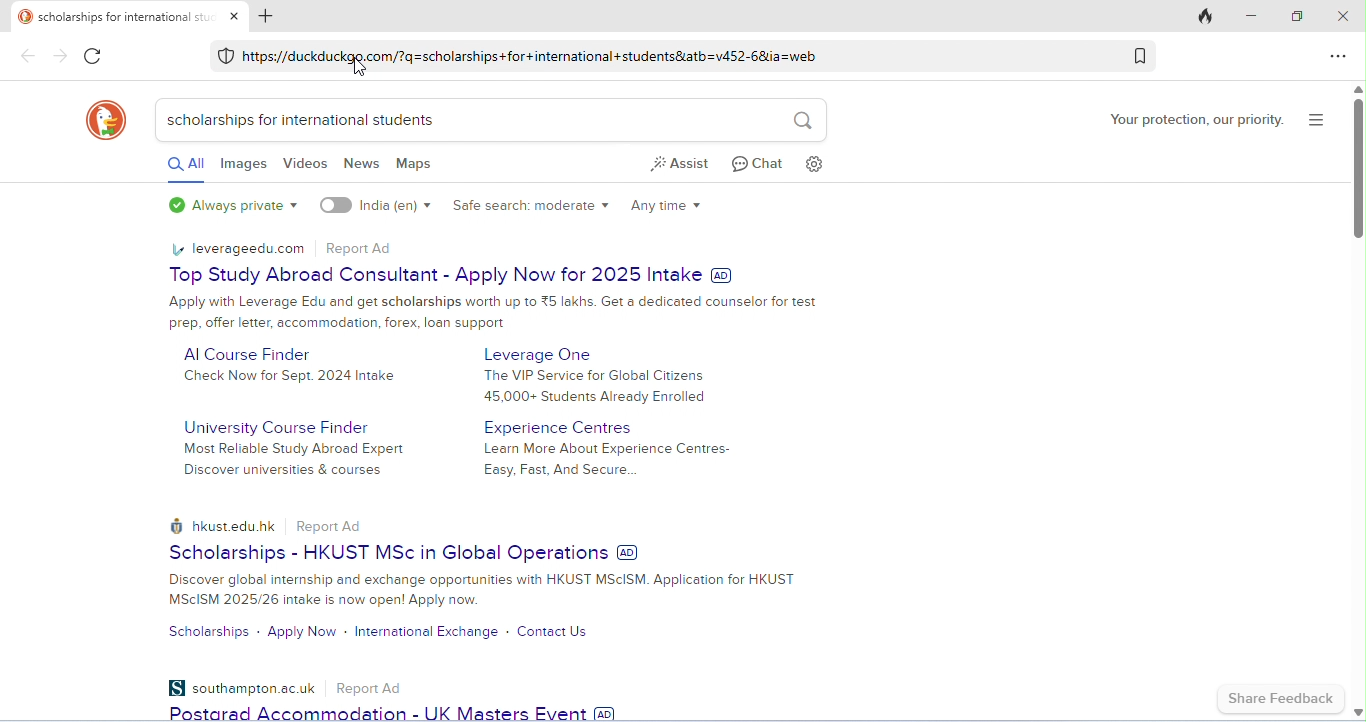 The image size is (1366, 722). Describe the element at coordinates (61, 56) in the screenshot. I see `` at that location.